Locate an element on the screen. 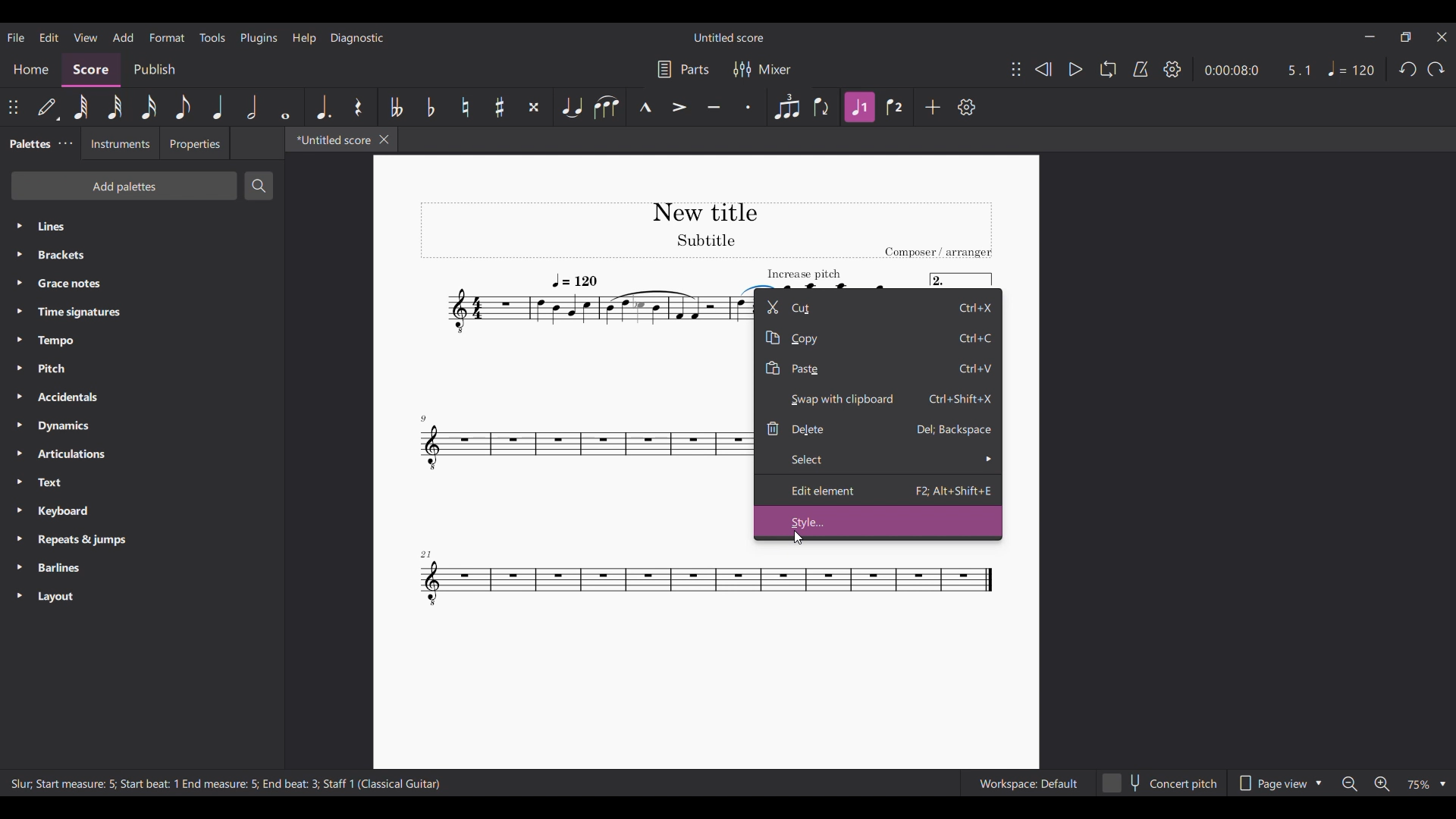  File menu is located at coordinates (17, 37).